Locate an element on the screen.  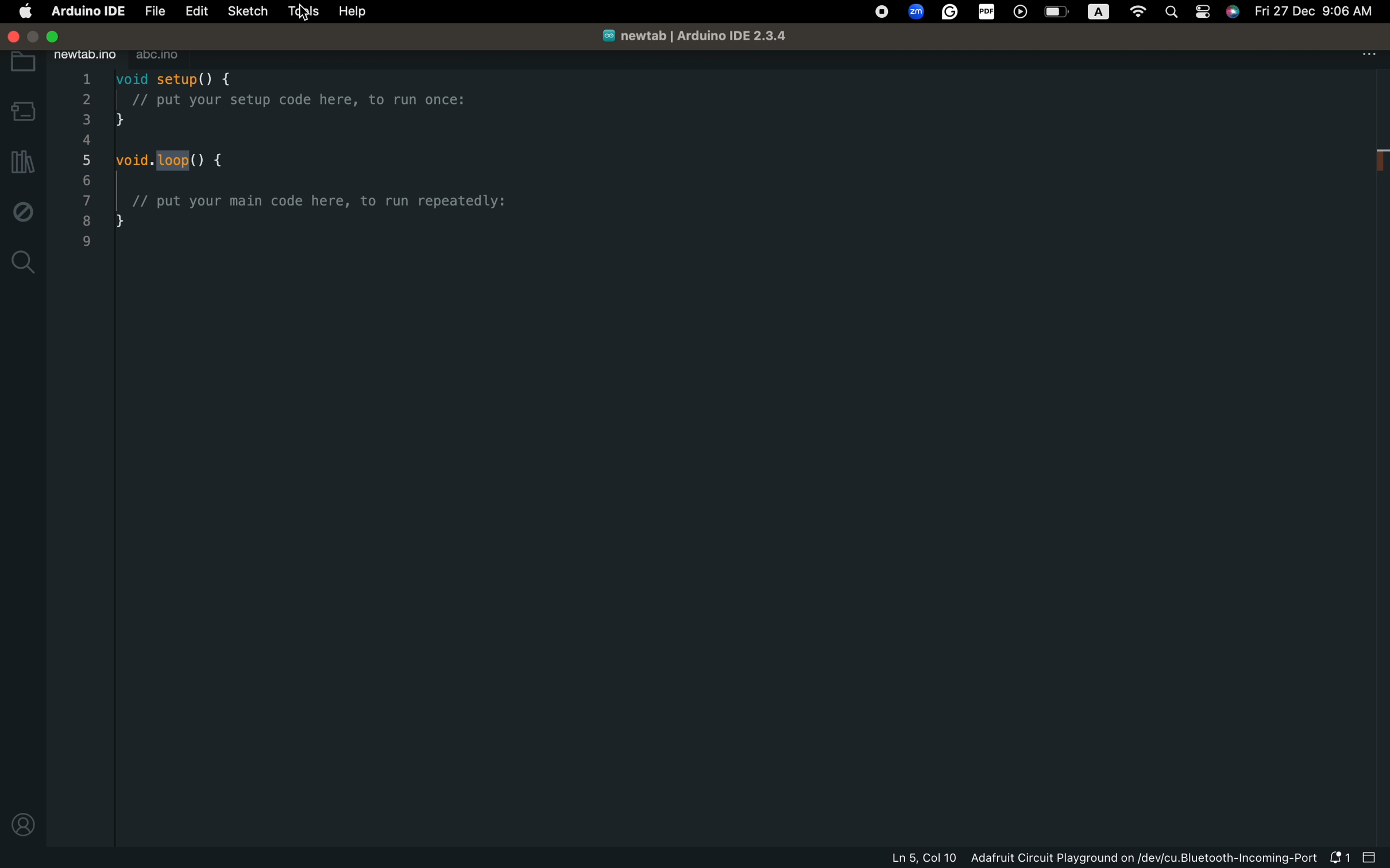
Battery is located at coordinates (1059, 13).